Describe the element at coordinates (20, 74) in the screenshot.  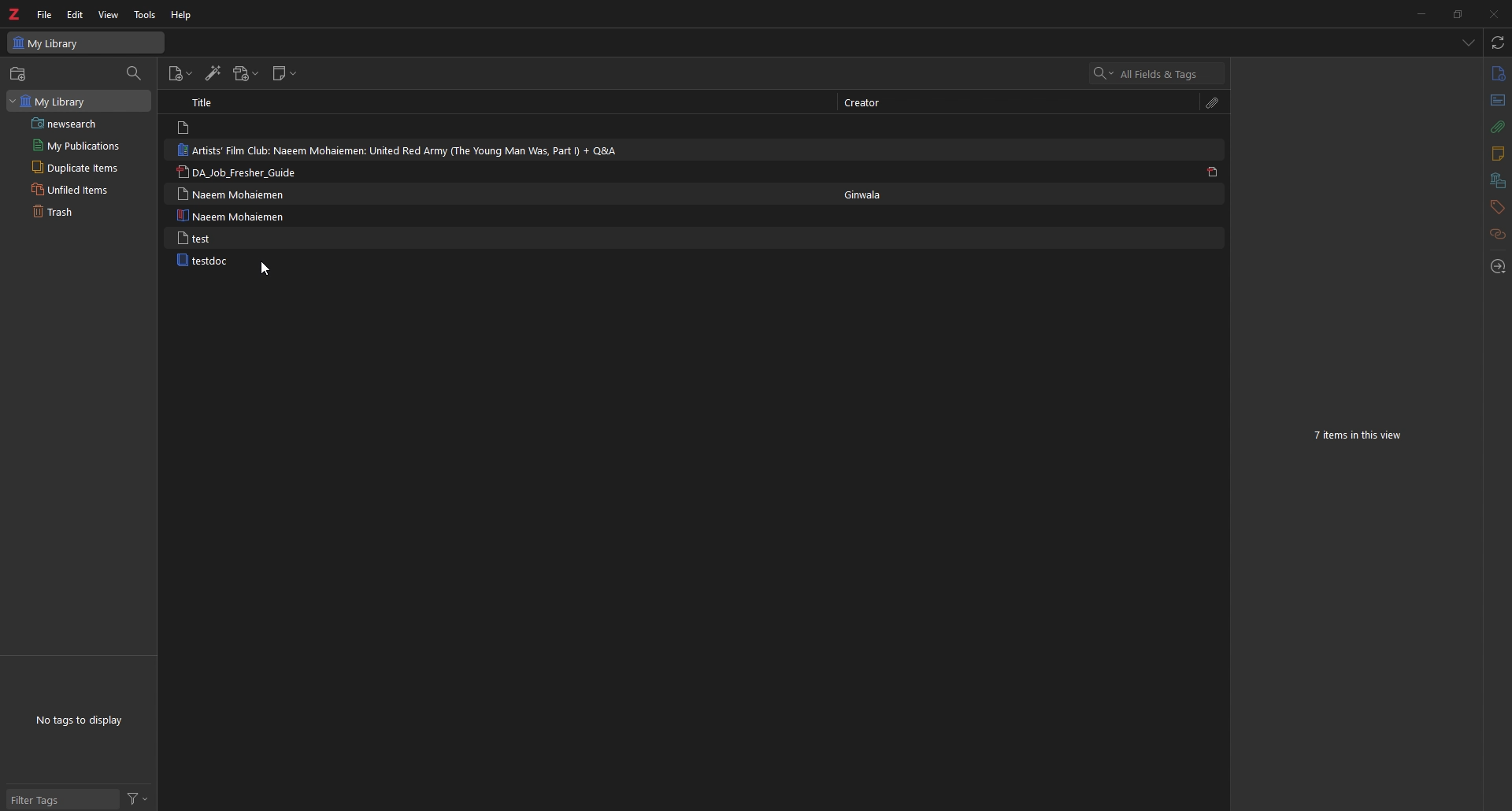
I see `new collection` at that location.